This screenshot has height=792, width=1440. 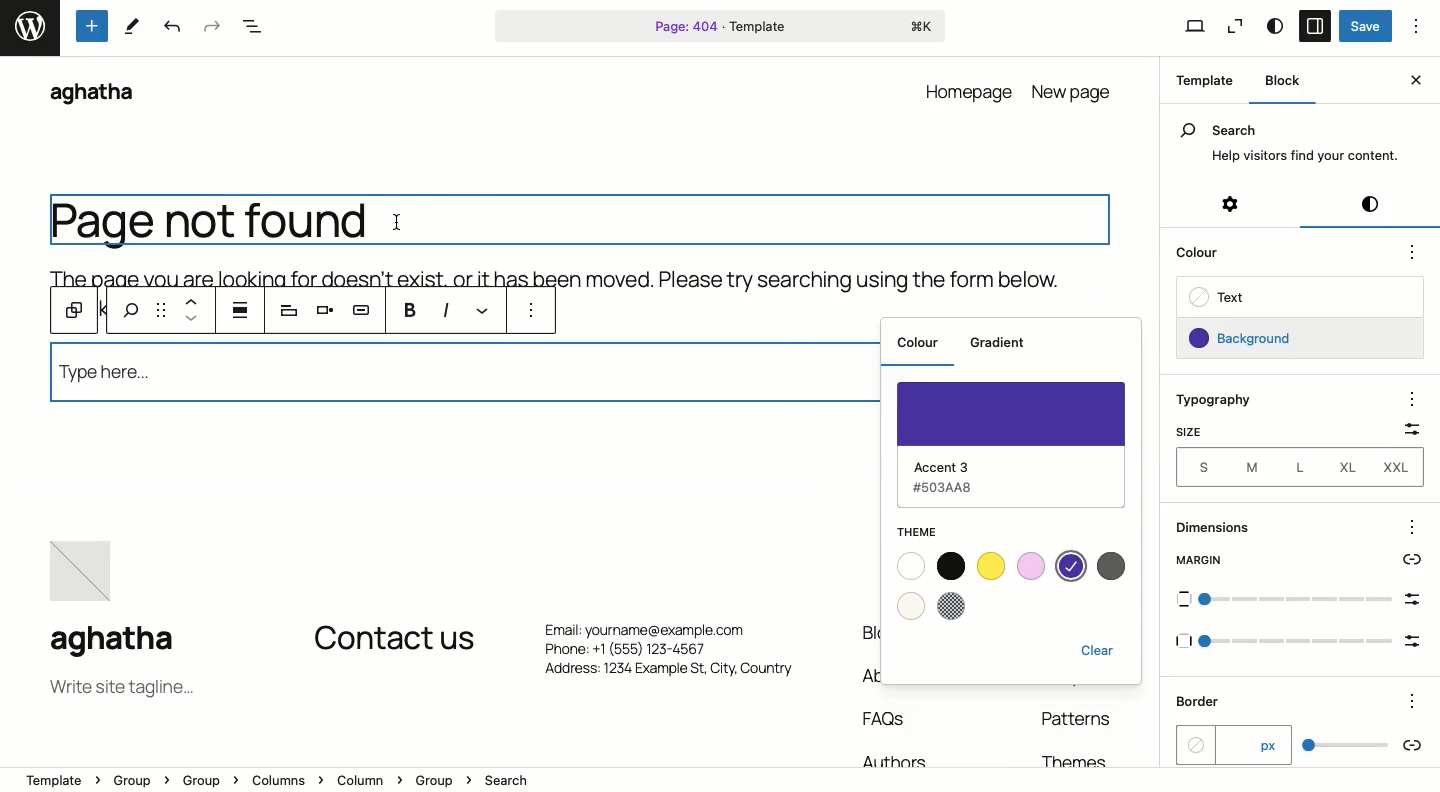 What do you see at coordinates (29, 28) in the screenshot?
I see `word press logo` at bounding box center [29, 28].